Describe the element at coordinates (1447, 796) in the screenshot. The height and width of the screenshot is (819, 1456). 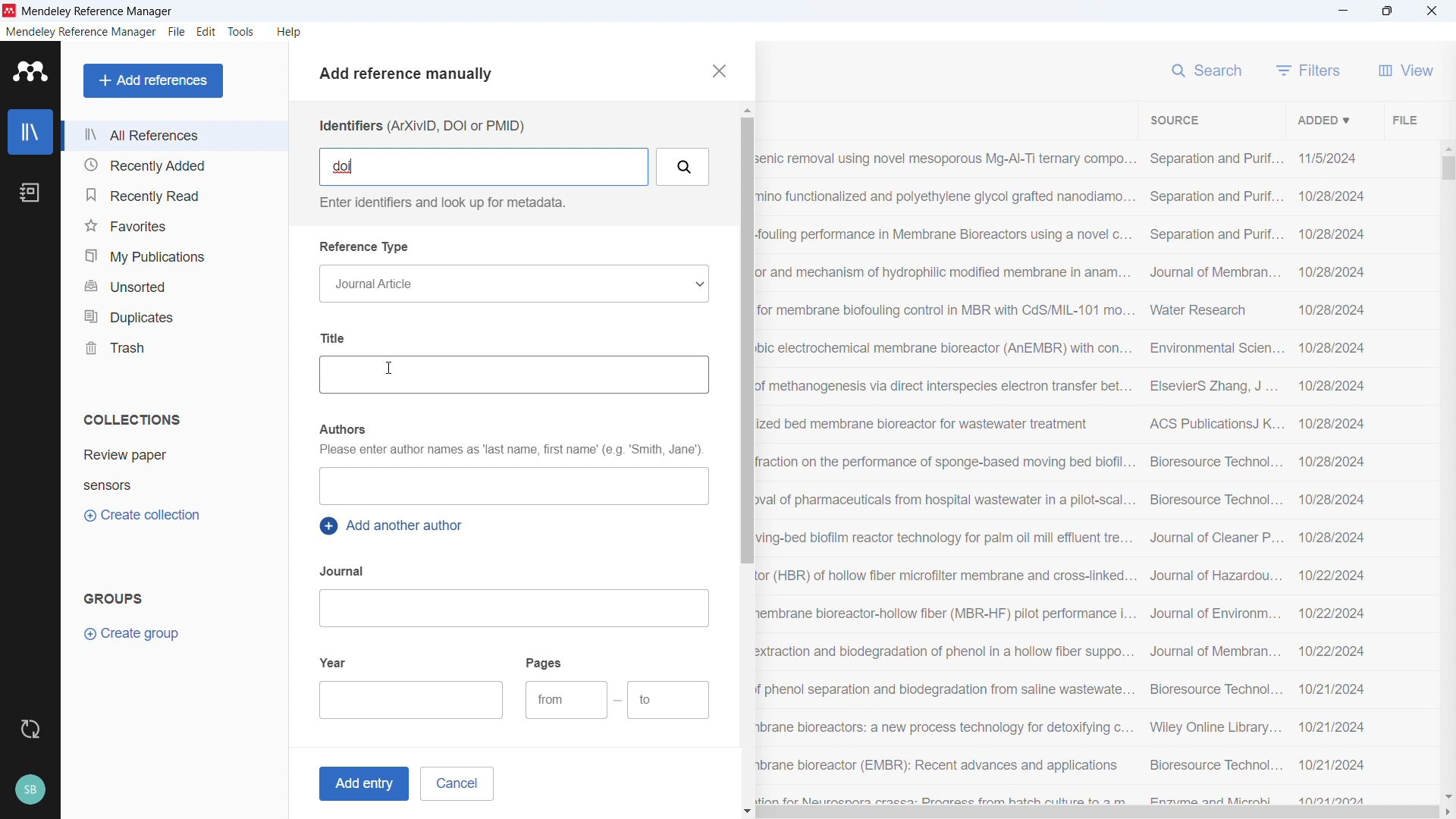
I see `Scroll down ` at that location.